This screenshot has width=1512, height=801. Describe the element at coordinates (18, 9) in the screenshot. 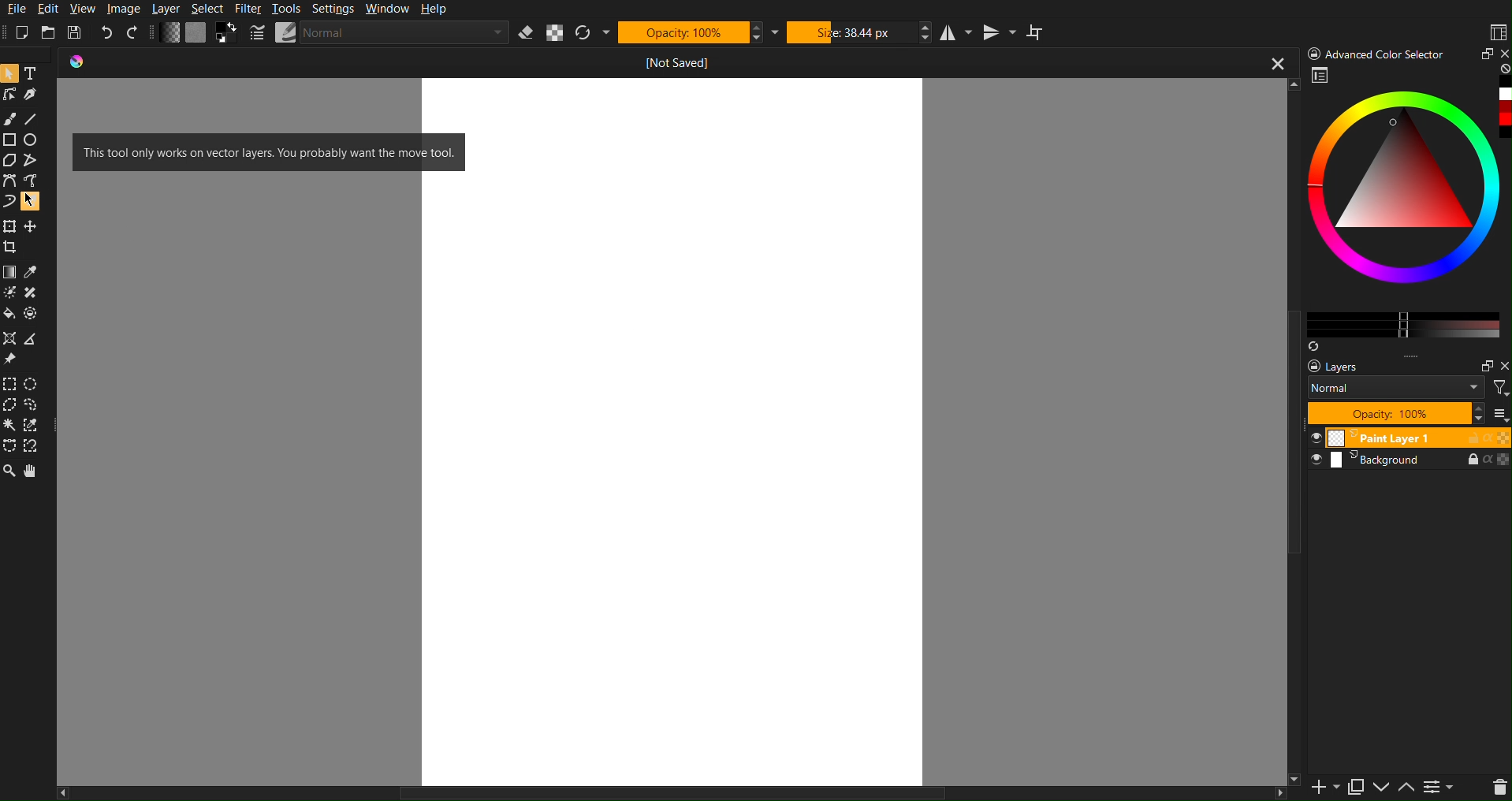

I see `FIle` at that location.